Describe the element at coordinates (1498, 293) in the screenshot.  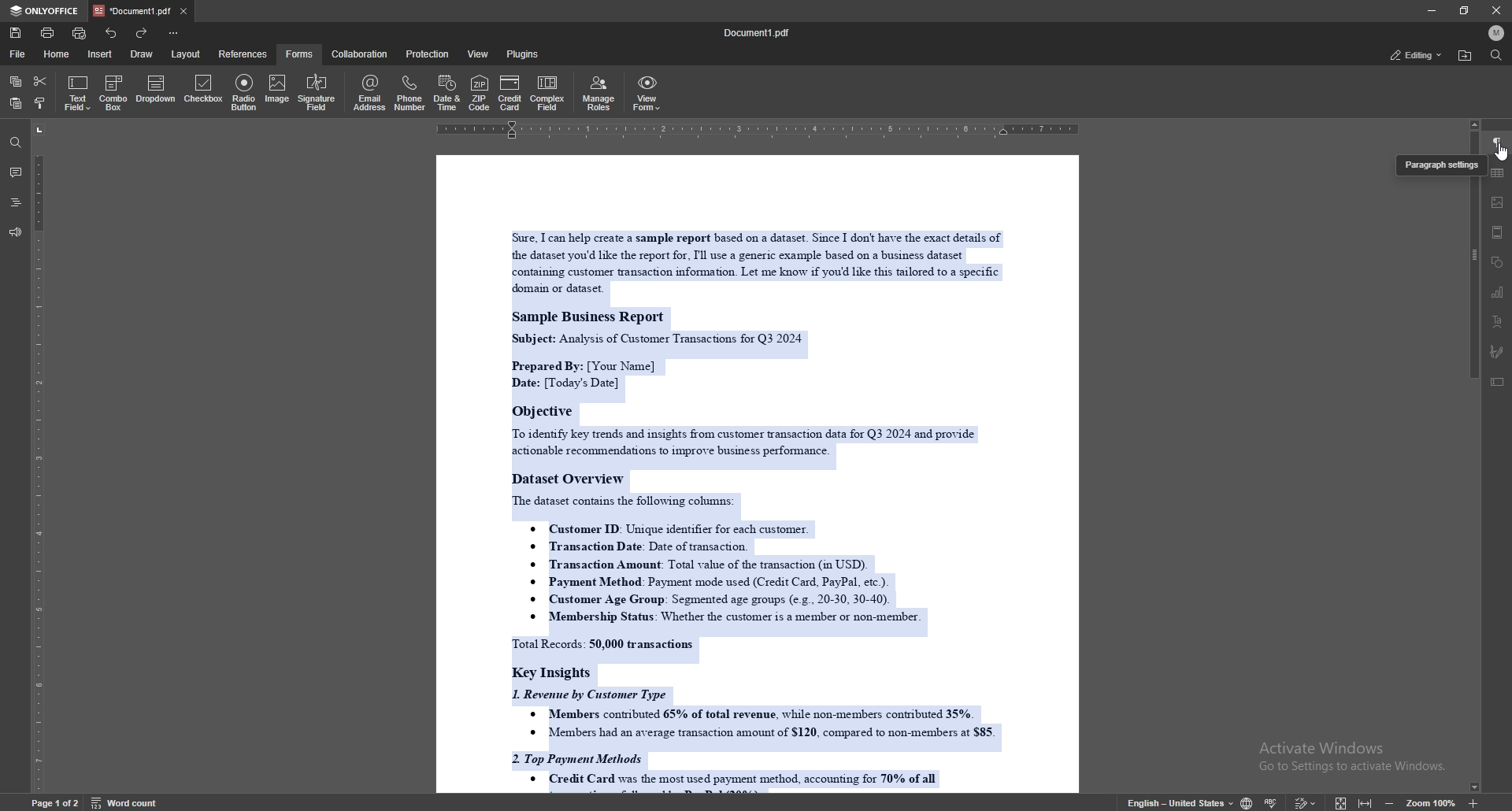
I see `chart` at that location.